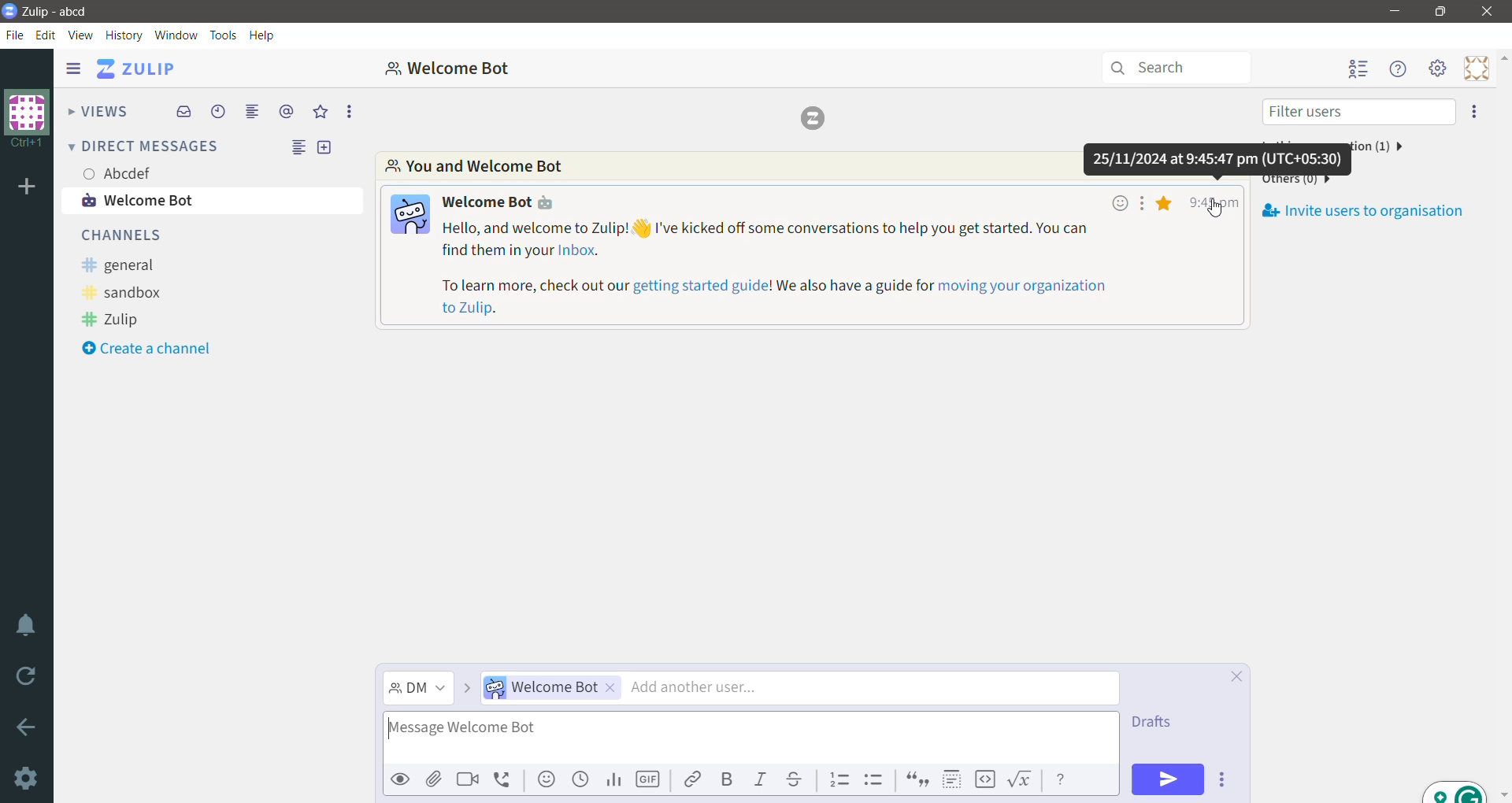  I want to click on Add emoji, so click(544, 780).